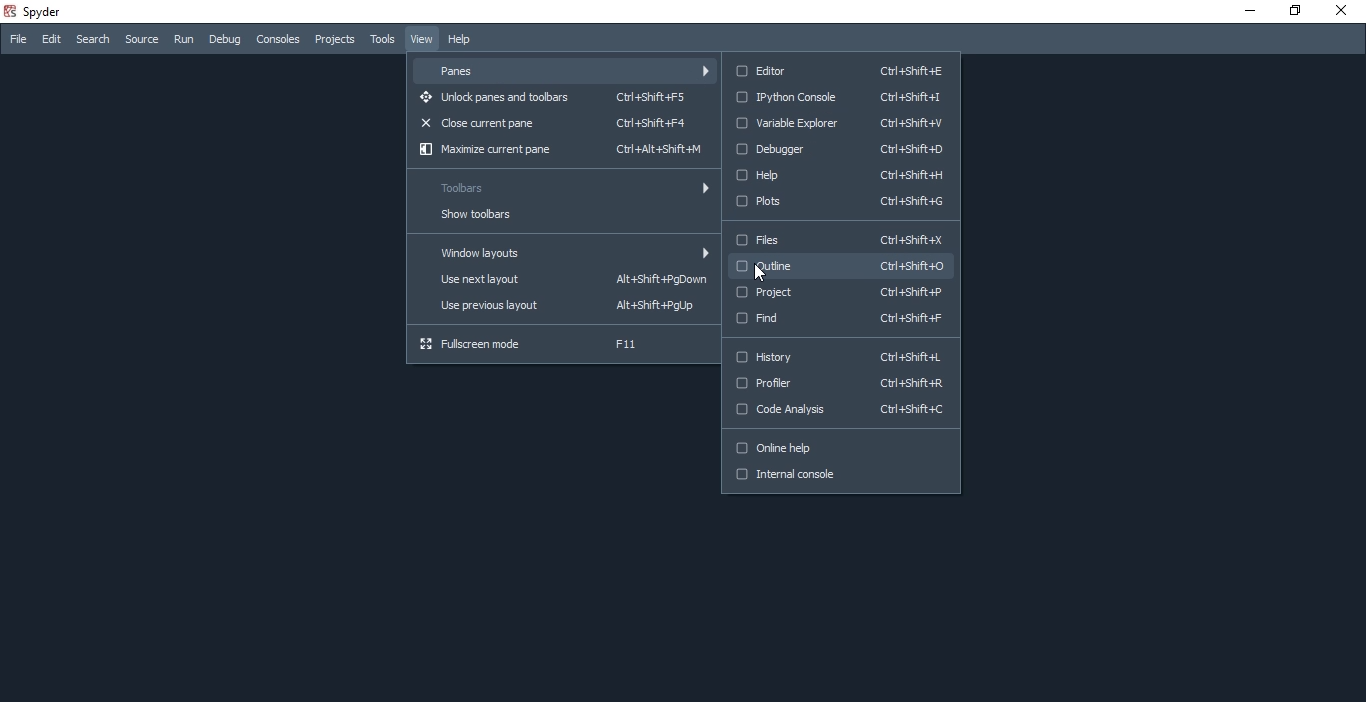 This screenshot has width=1366, height=702. What do you see at coordinates (840, 357) in the screenshot?
I see `History` at bounding box center [840, 357].